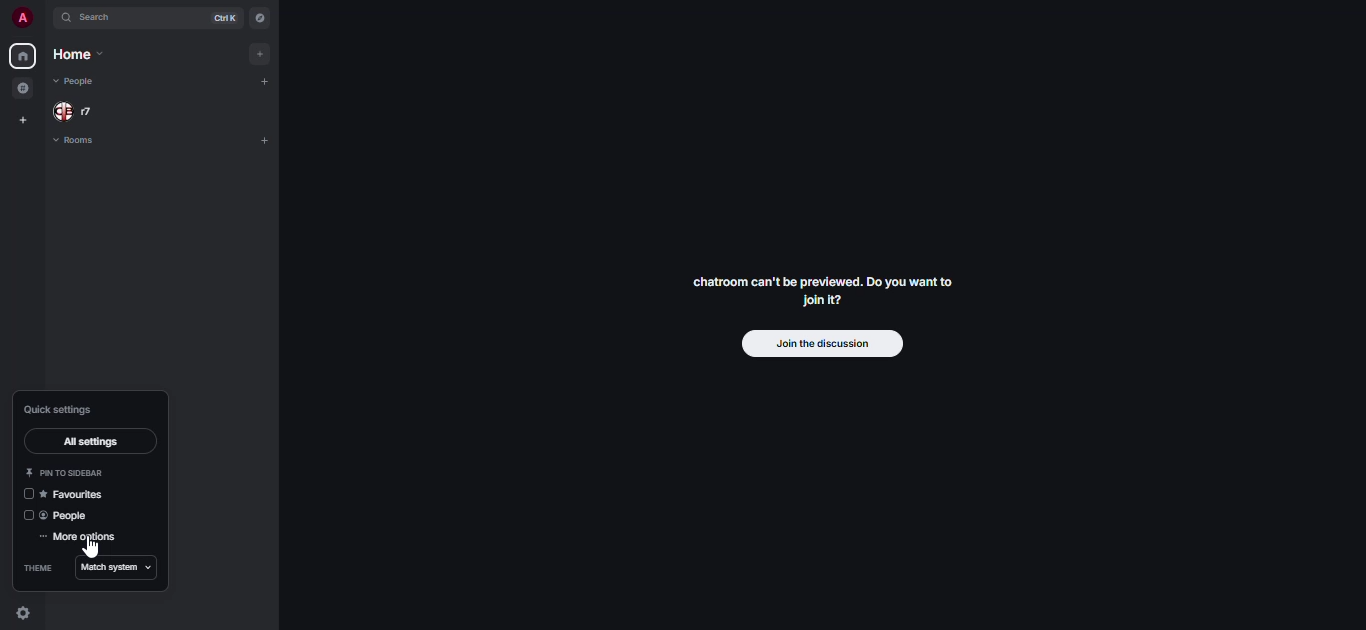  I want to click on theme, so click(38, 569).